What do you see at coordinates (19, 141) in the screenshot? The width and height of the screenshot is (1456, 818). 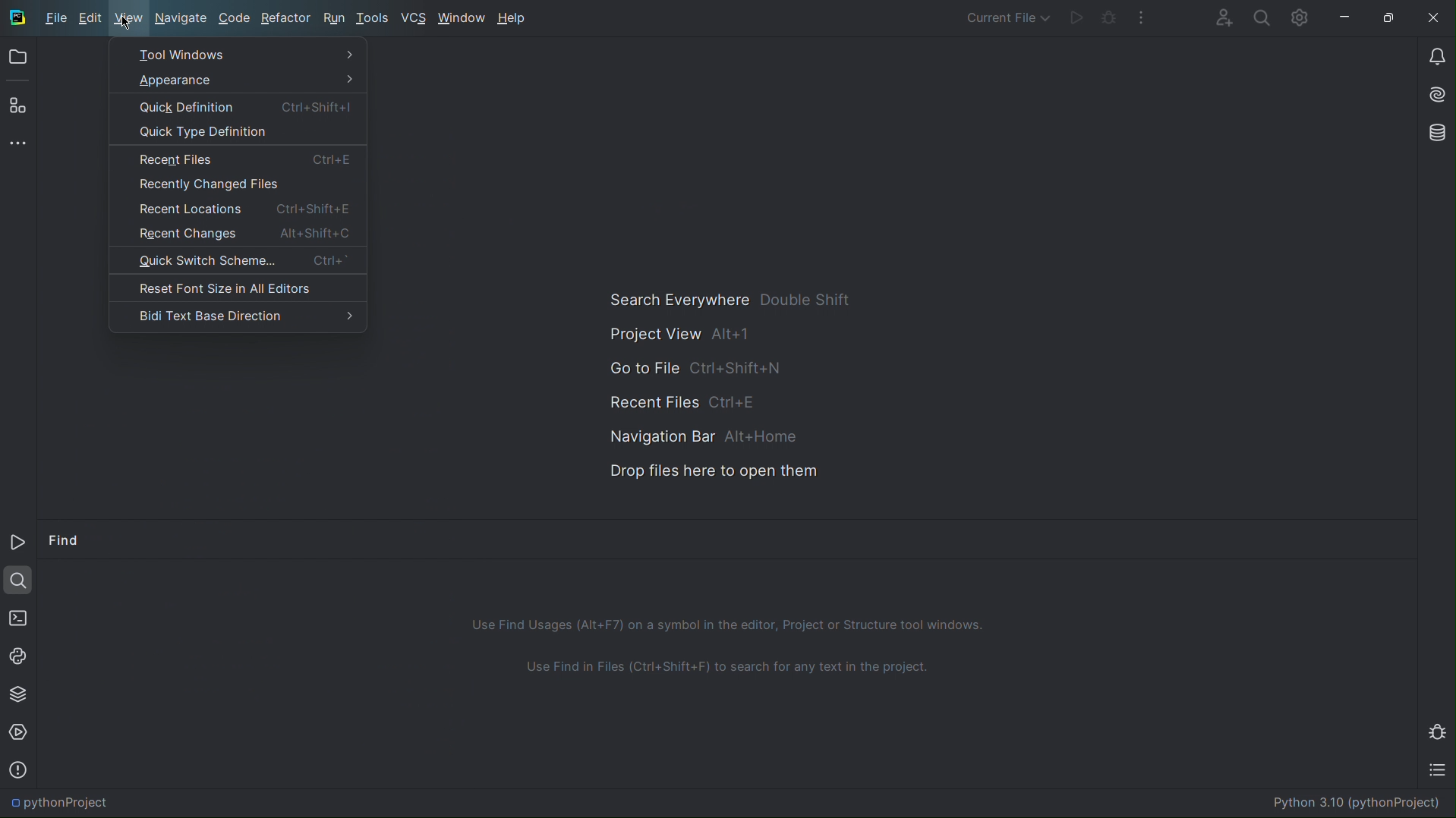 I see `More` at bounding box center [19, 141].